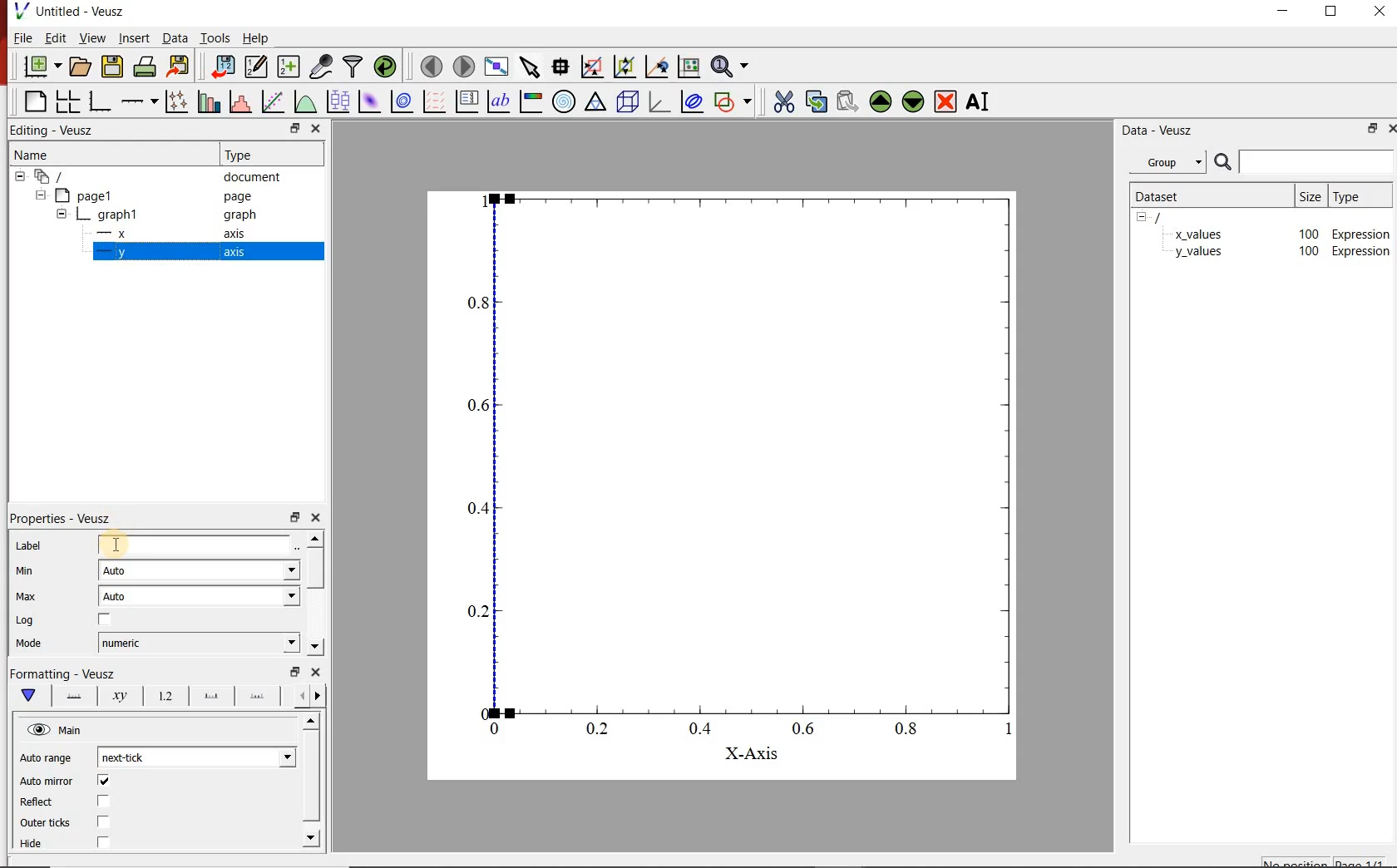 Image resolution: width=1397 pixels, height=868 pixels. Describe the element at coordinates (35, 101) in the screenshot. I see `blank page` at that location.